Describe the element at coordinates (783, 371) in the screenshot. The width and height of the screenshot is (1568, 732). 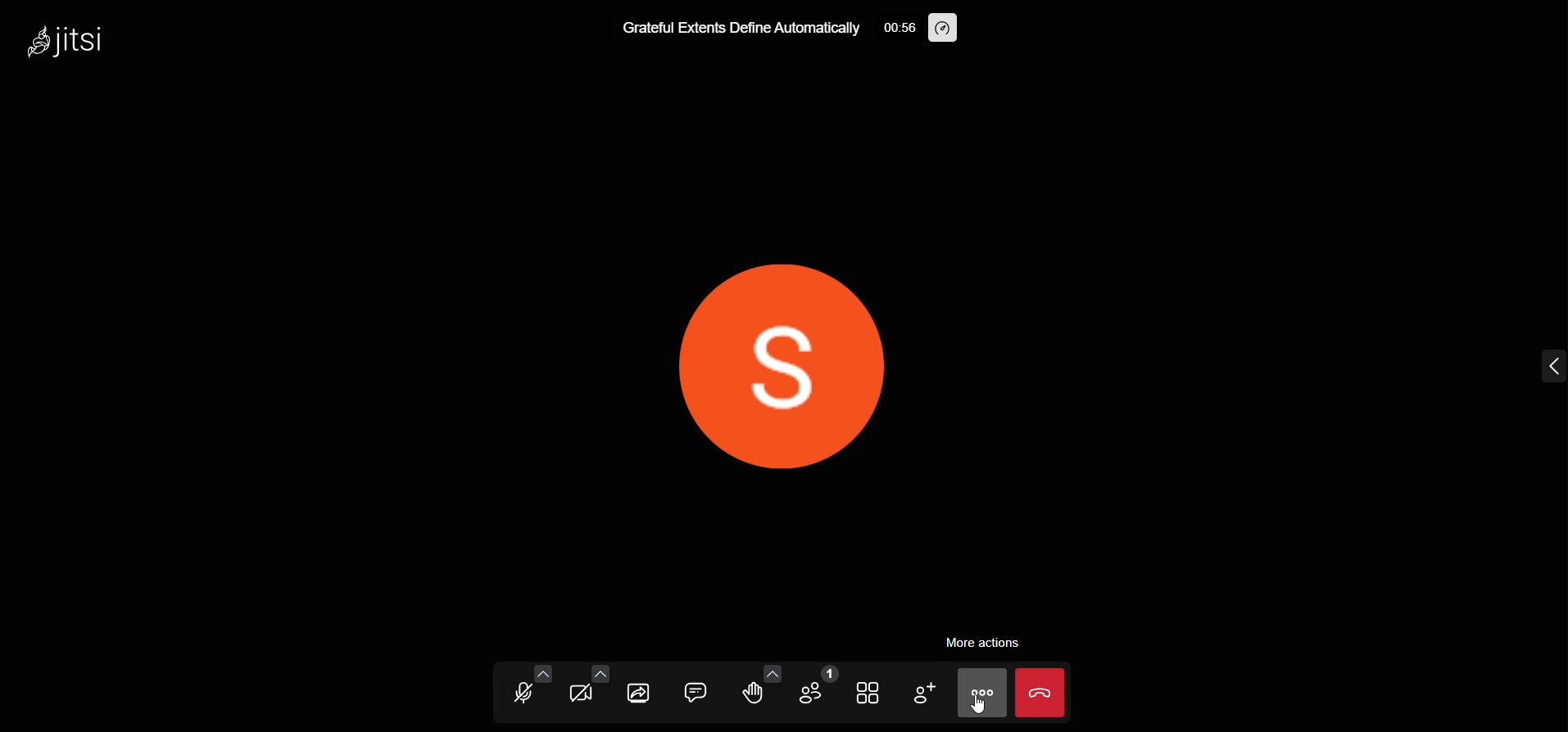
I see `display picture` at that location.